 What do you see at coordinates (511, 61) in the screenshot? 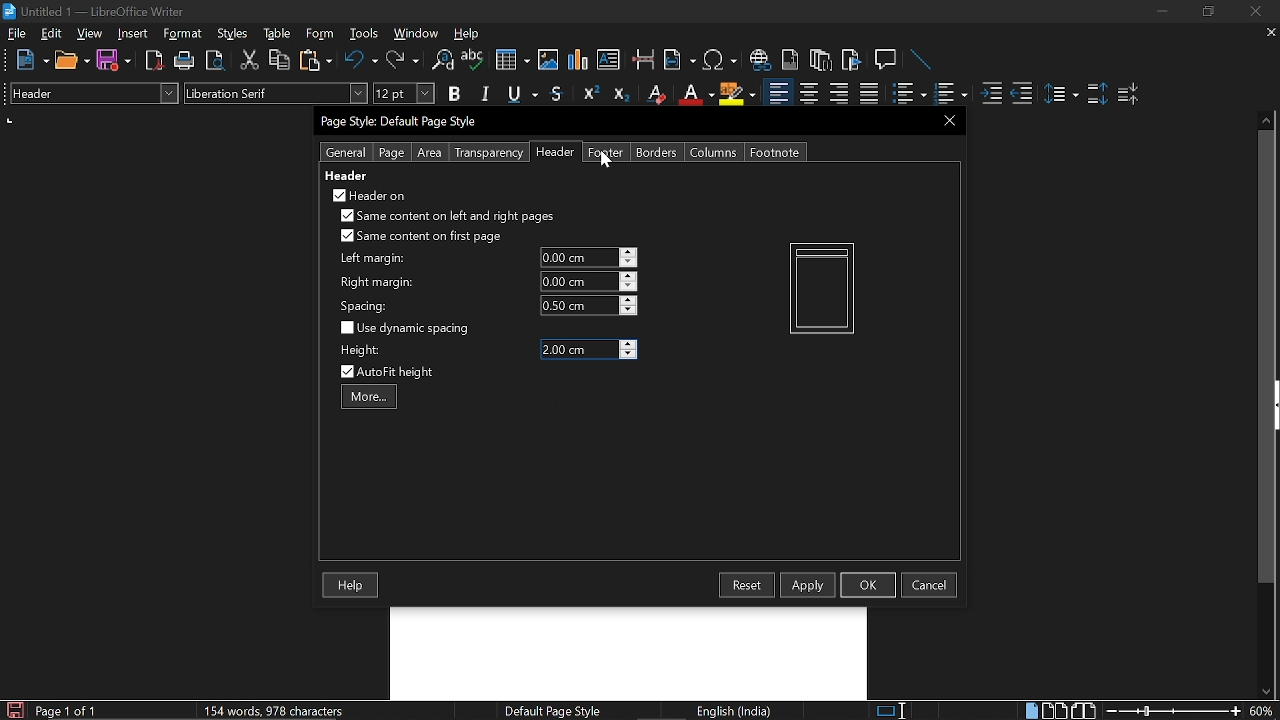
I see `Insert table` at bounding box center [511, 61].